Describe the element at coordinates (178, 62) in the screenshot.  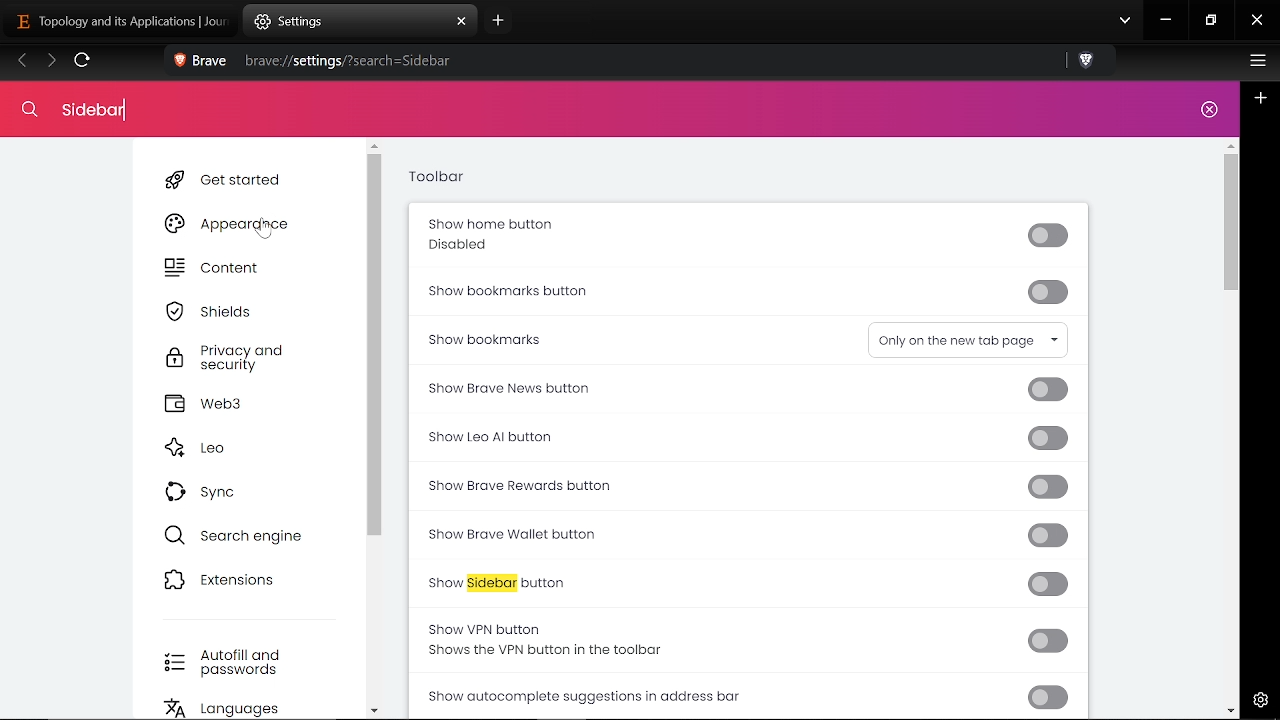
I see `View site information` at that location.